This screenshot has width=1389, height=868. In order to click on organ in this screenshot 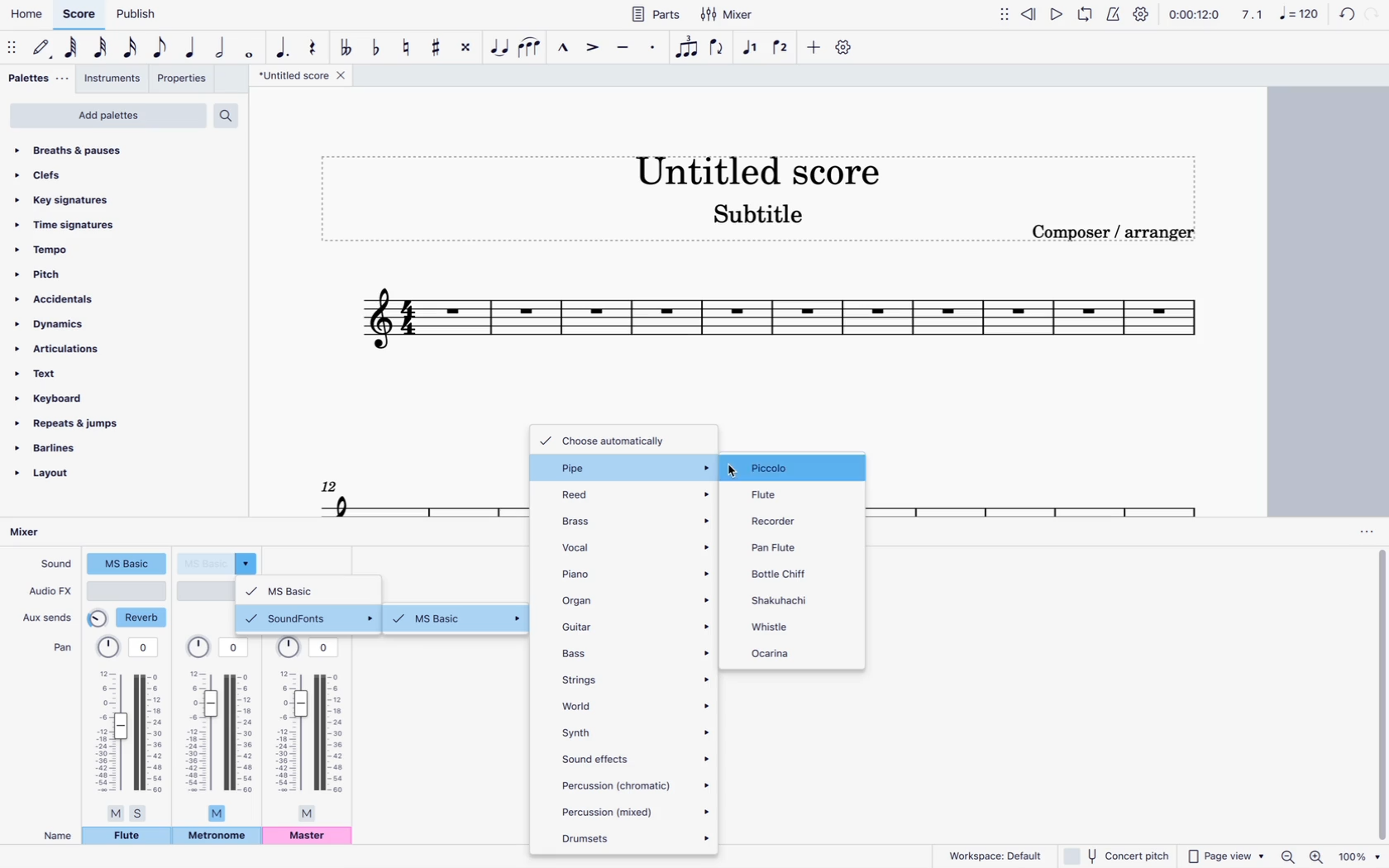, I will do `click(633, 599)`.